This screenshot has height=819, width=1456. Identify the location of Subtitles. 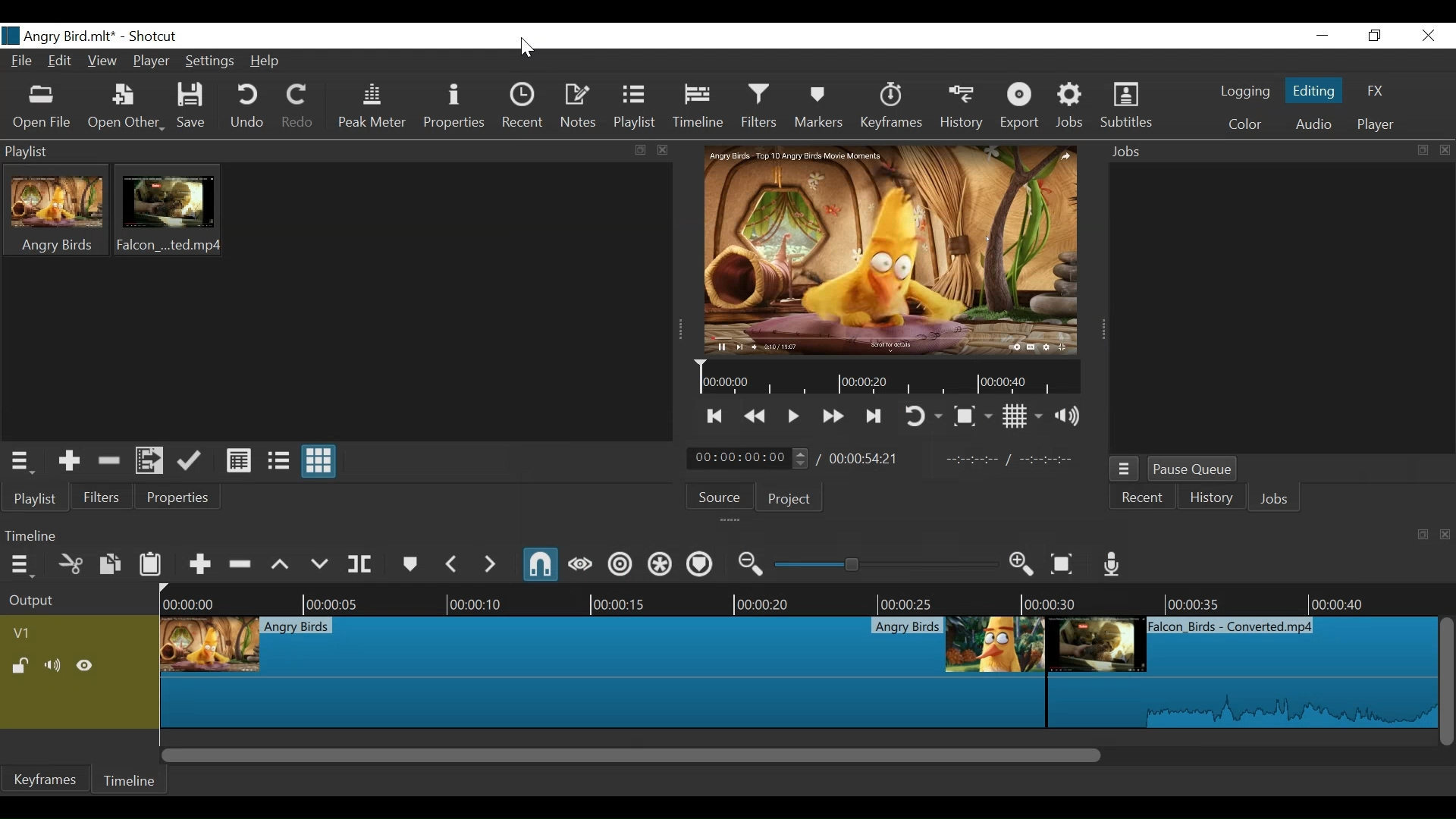
(1127, 105).